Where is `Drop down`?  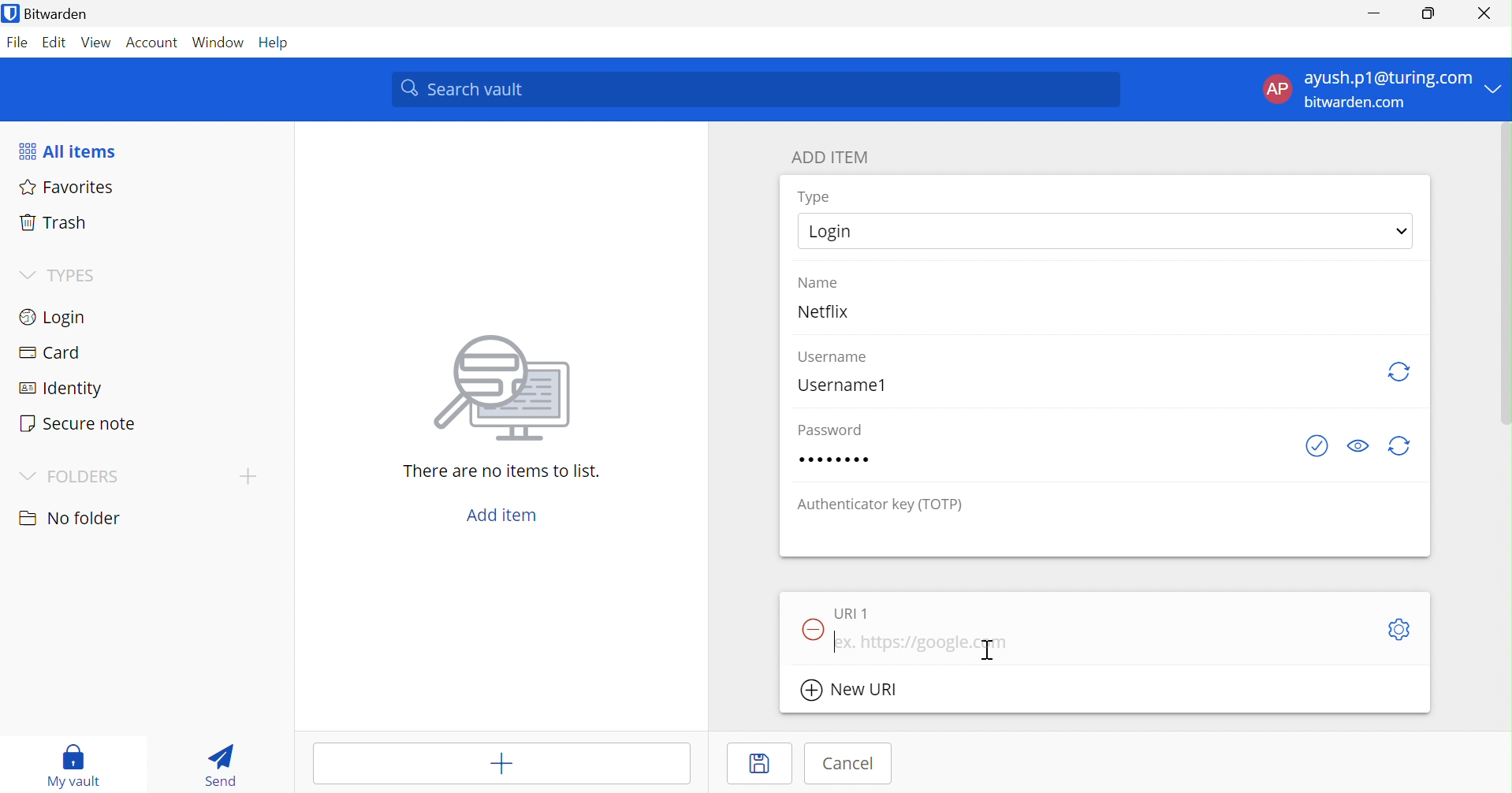
Drop down is located at coordinates (1495, 87).